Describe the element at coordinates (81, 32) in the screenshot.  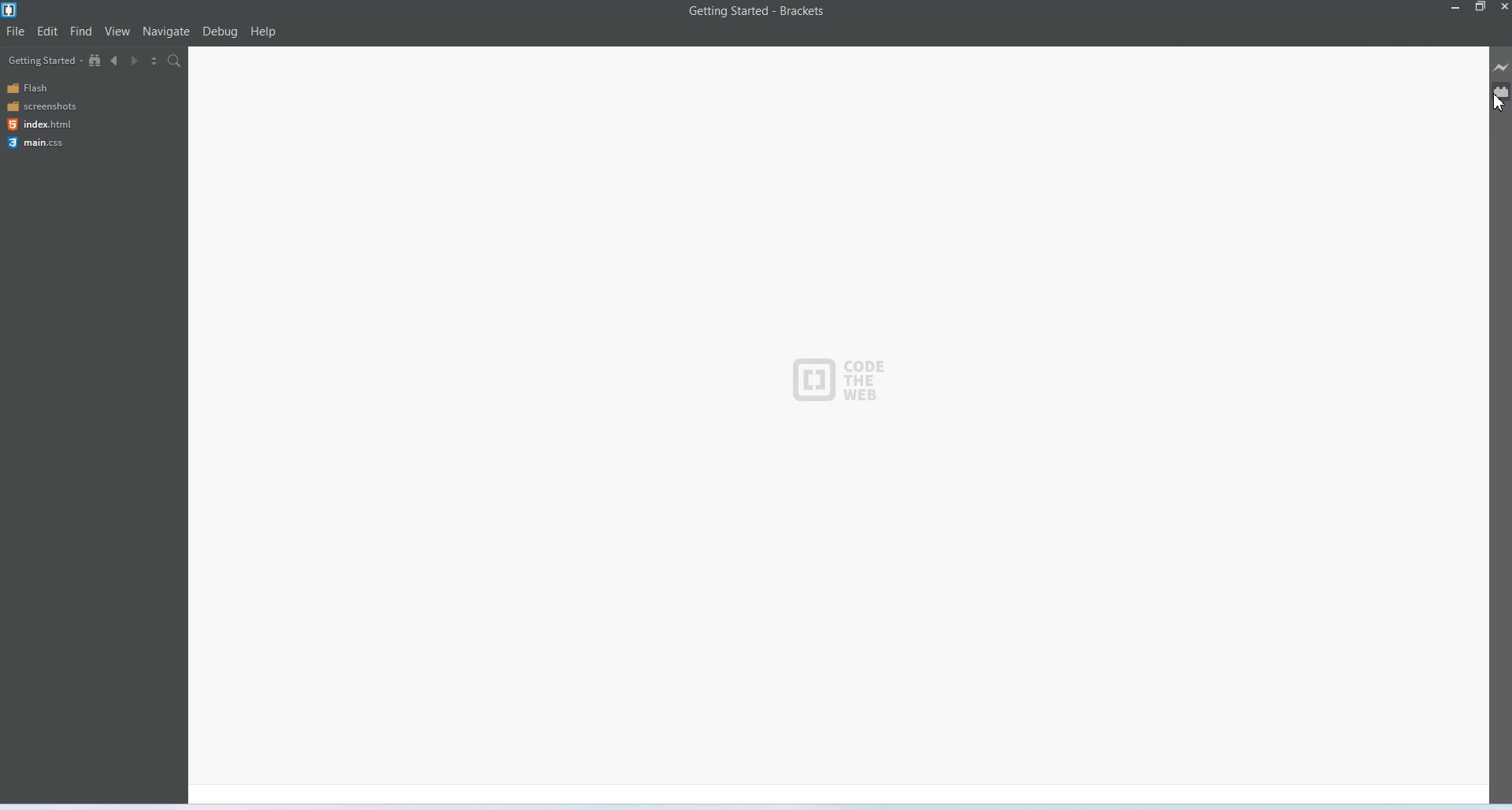
I see `Find` at that location.